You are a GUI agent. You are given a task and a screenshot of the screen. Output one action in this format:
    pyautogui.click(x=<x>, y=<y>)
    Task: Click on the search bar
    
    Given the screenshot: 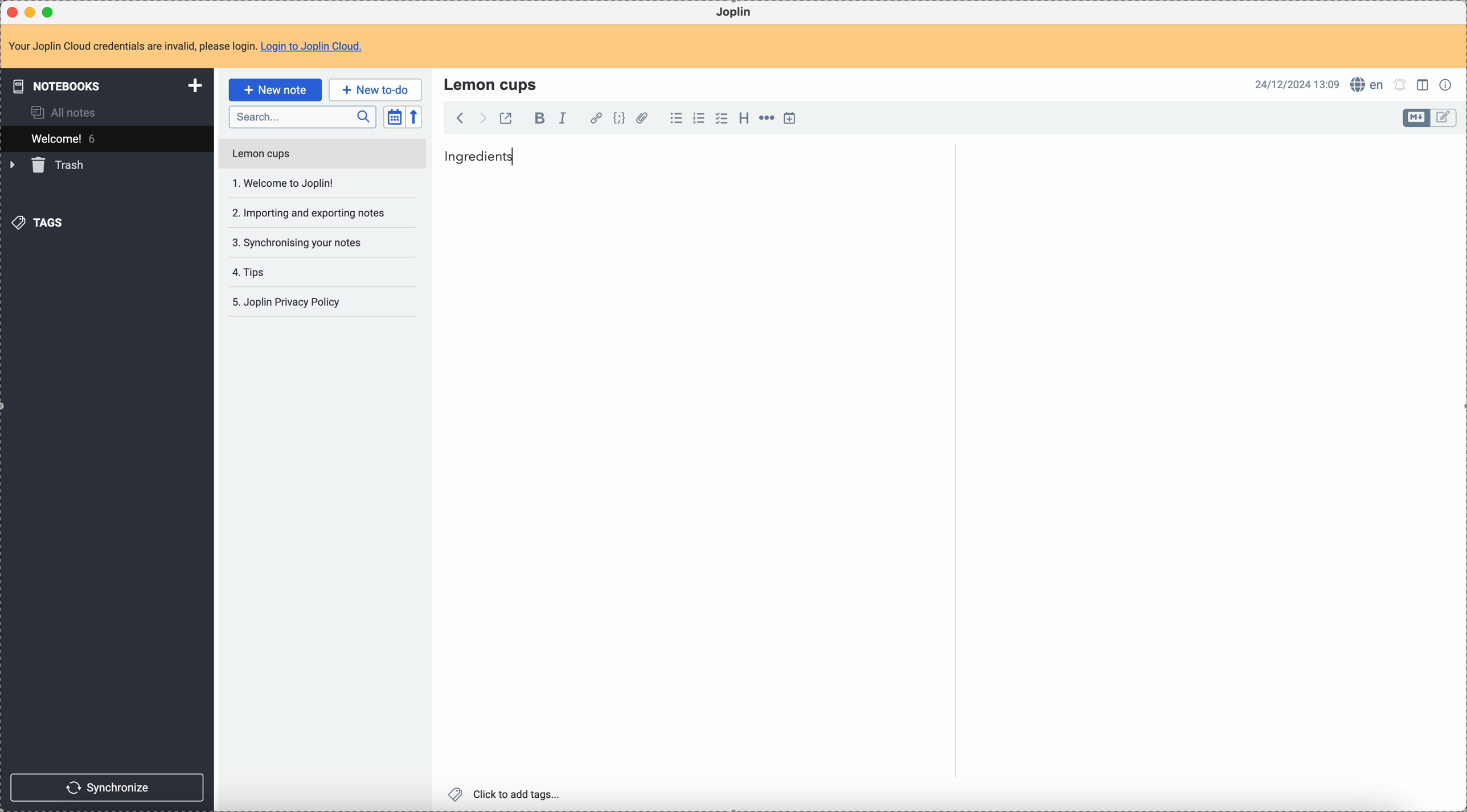 What is the action you would take?
    pyautogui.click(x=302, y=117)
    